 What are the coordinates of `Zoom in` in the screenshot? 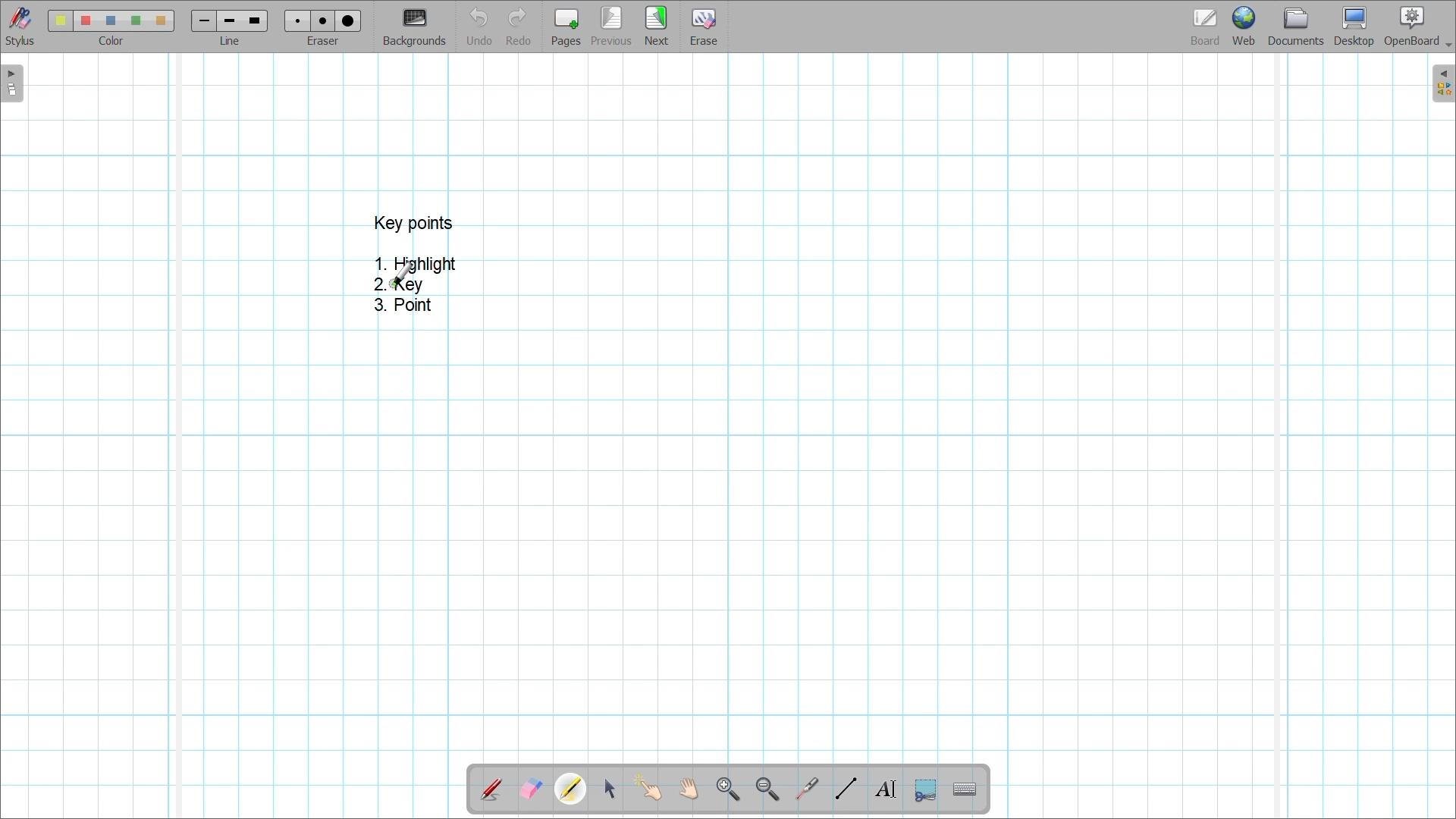 It's located at (729, 790).